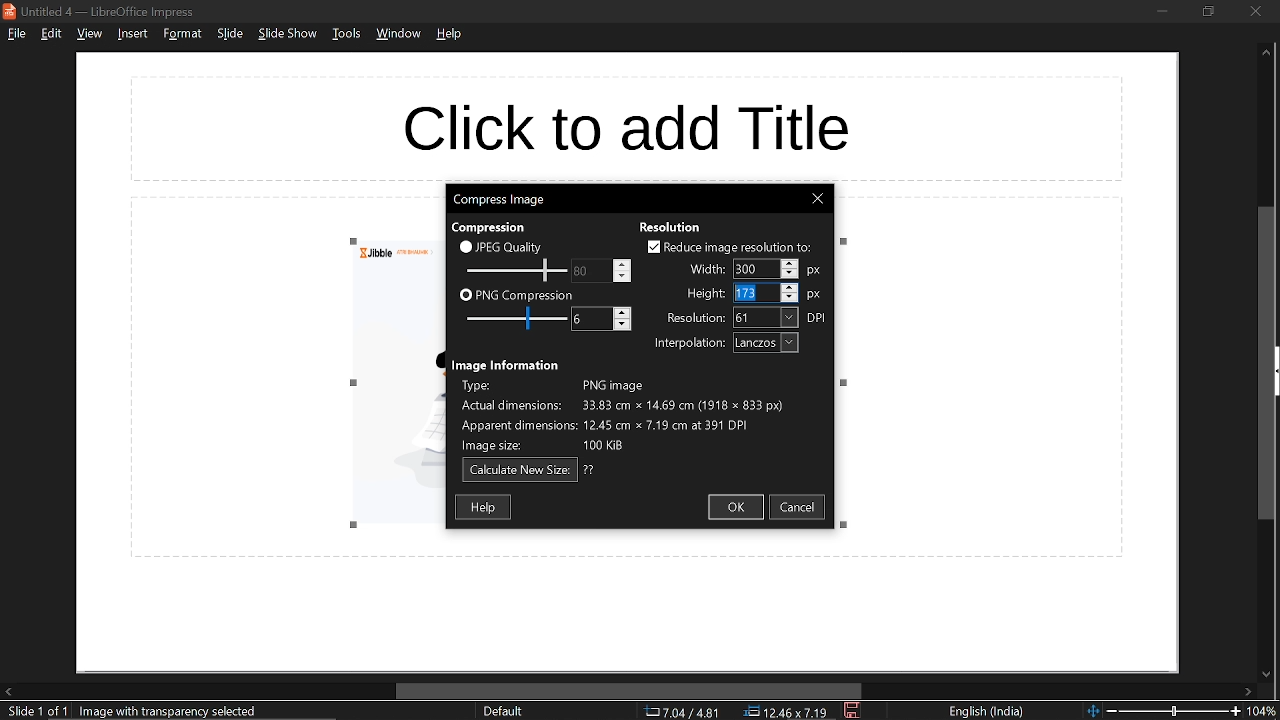  Describe the element at coordinates (707, 269) in the screenshot. I see `text` at that location.